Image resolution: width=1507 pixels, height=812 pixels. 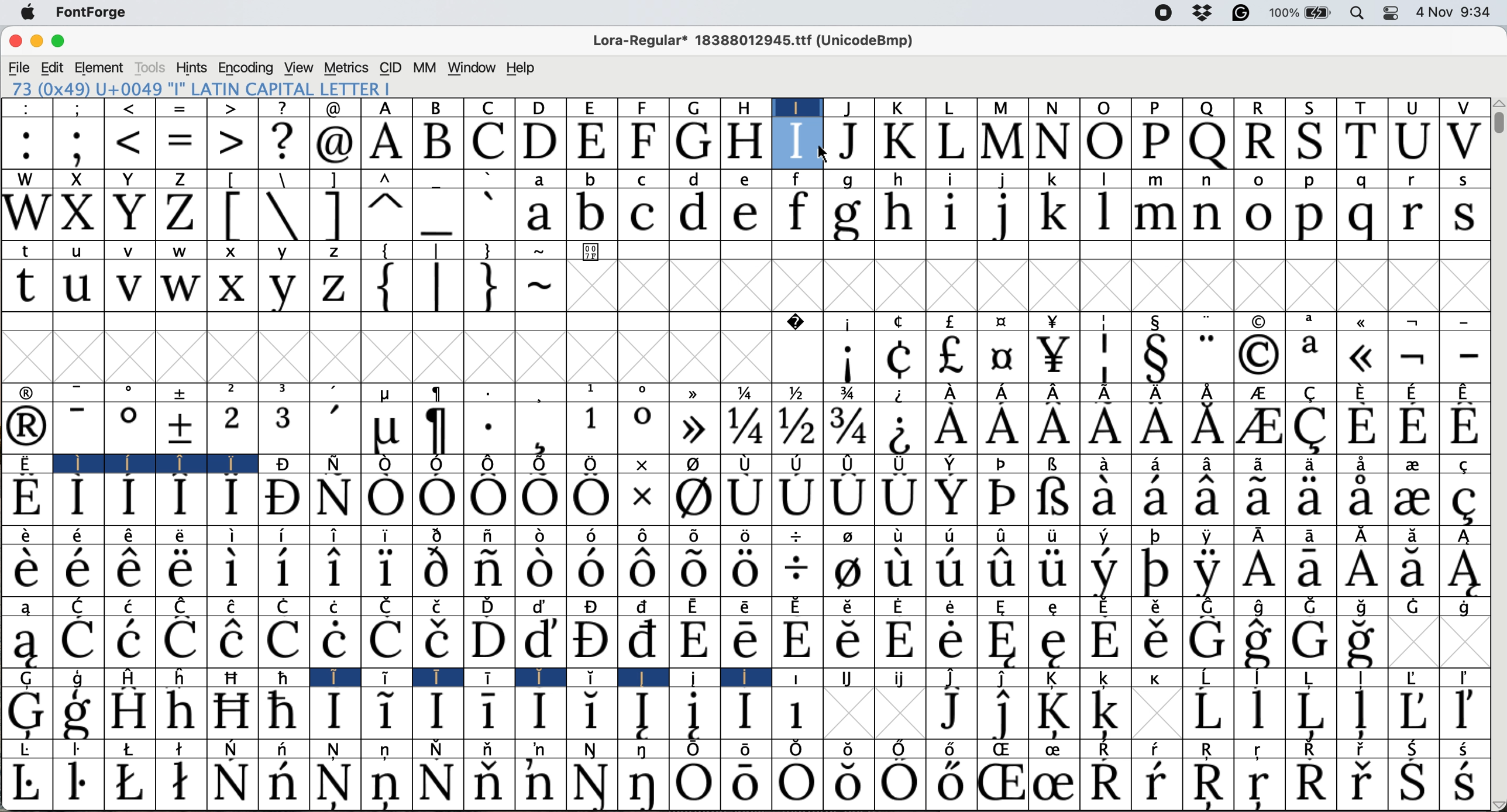 What do you see at coordinates (1414, 356) in the screenshot?
I see `Symbol` at bounding box center [1414, 356].